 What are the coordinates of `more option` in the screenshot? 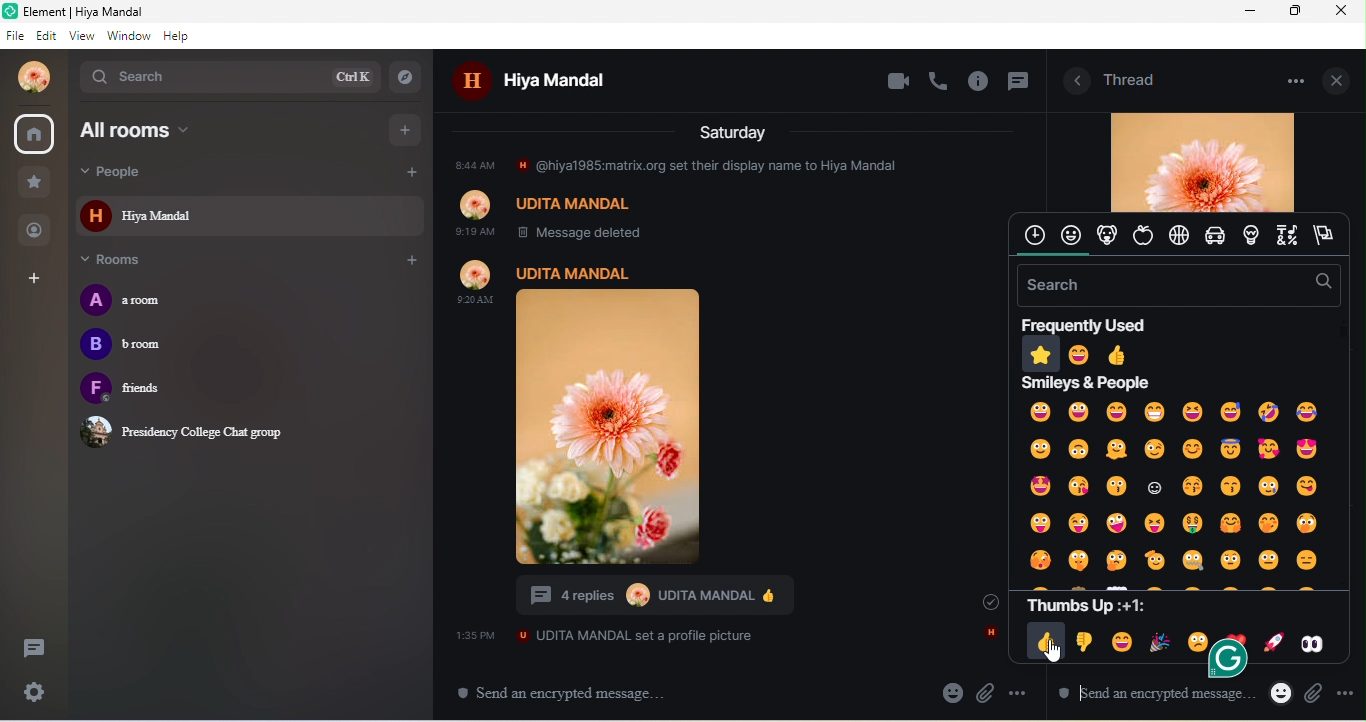 It's located at (1346, 691).